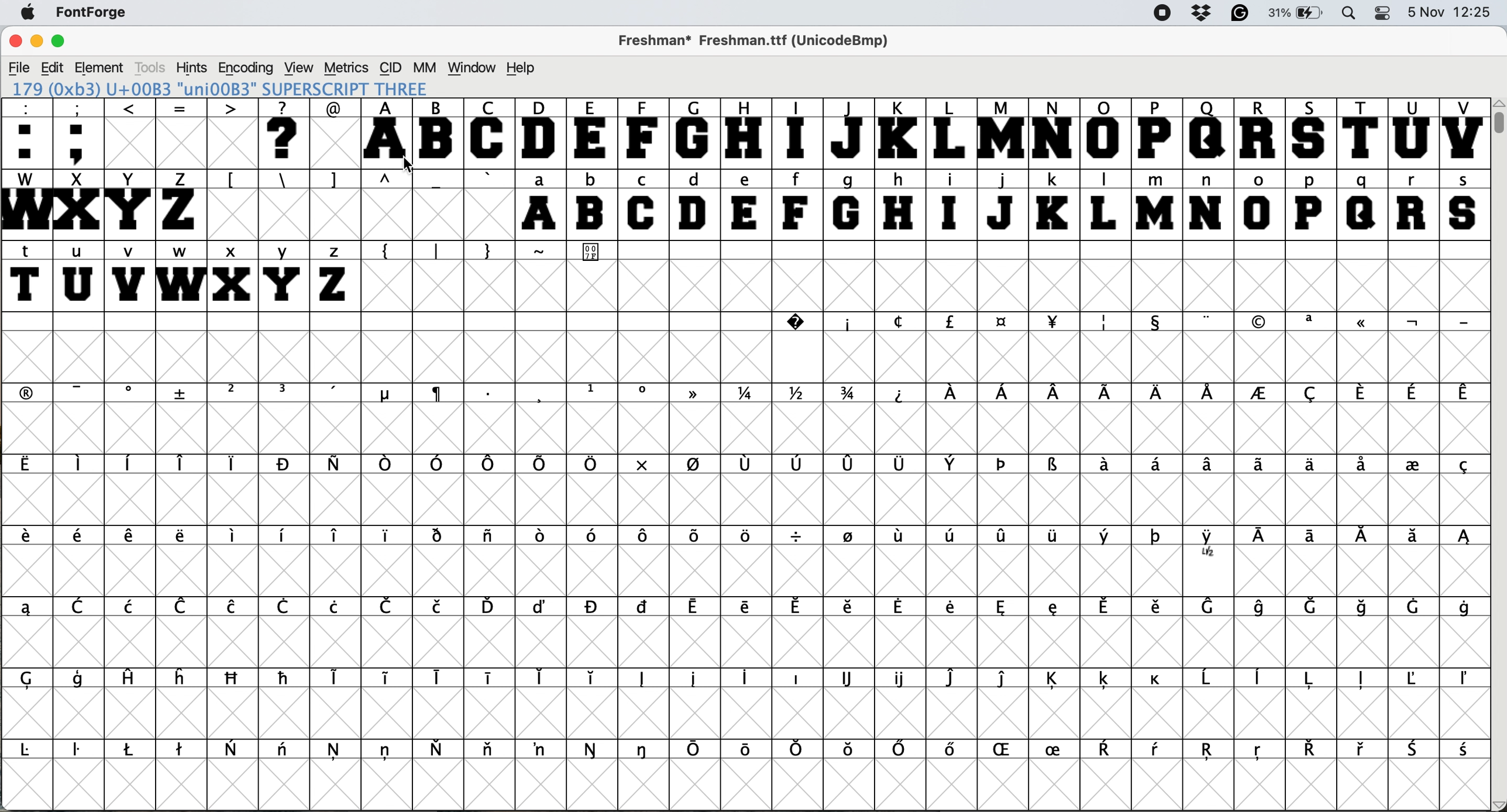  Describe the element at coordinates (1056, 537) in the screenshot. I see `symbol` at that location.